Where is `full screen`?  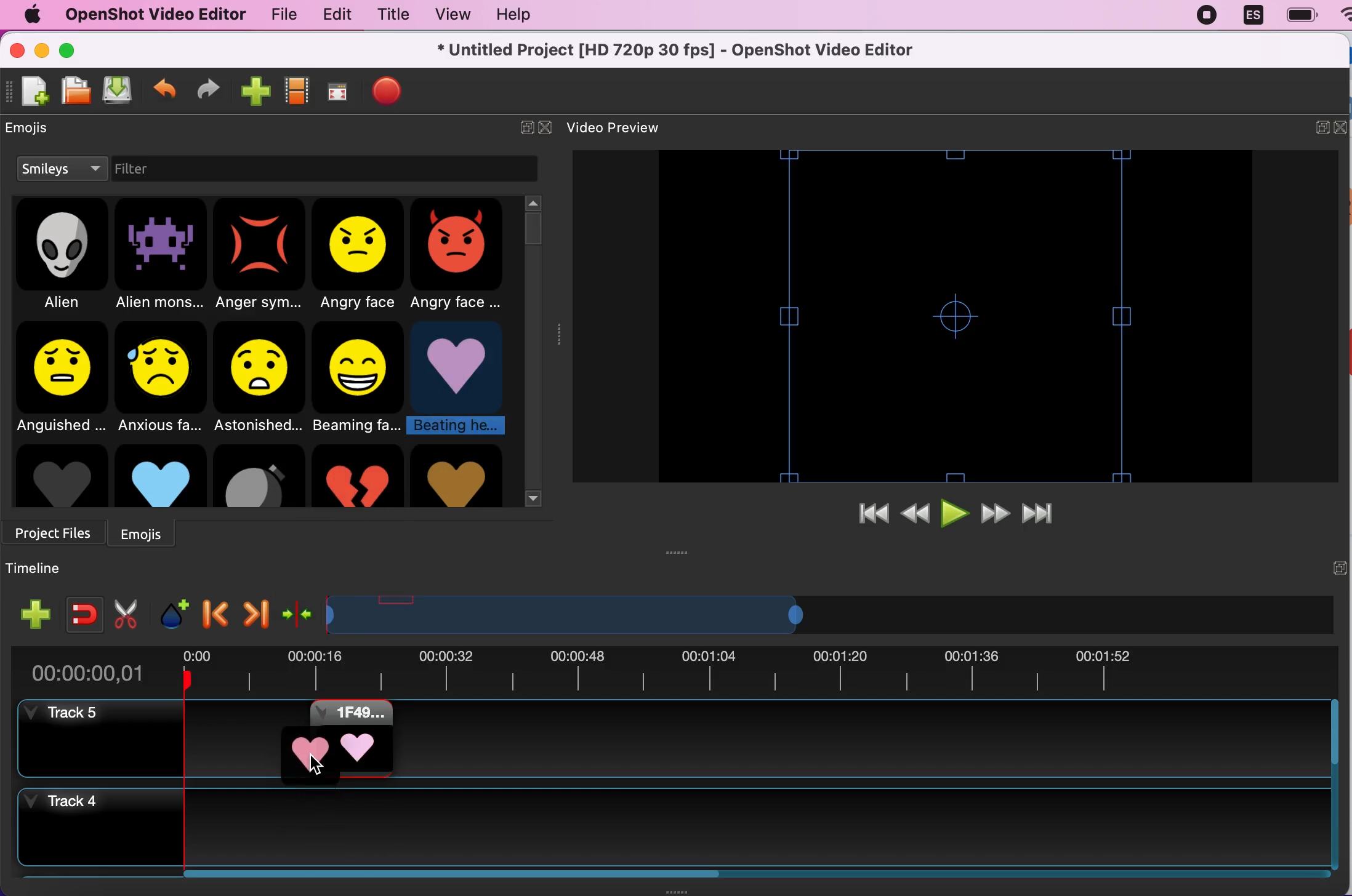 full screen is located at coordinates (337, 93).